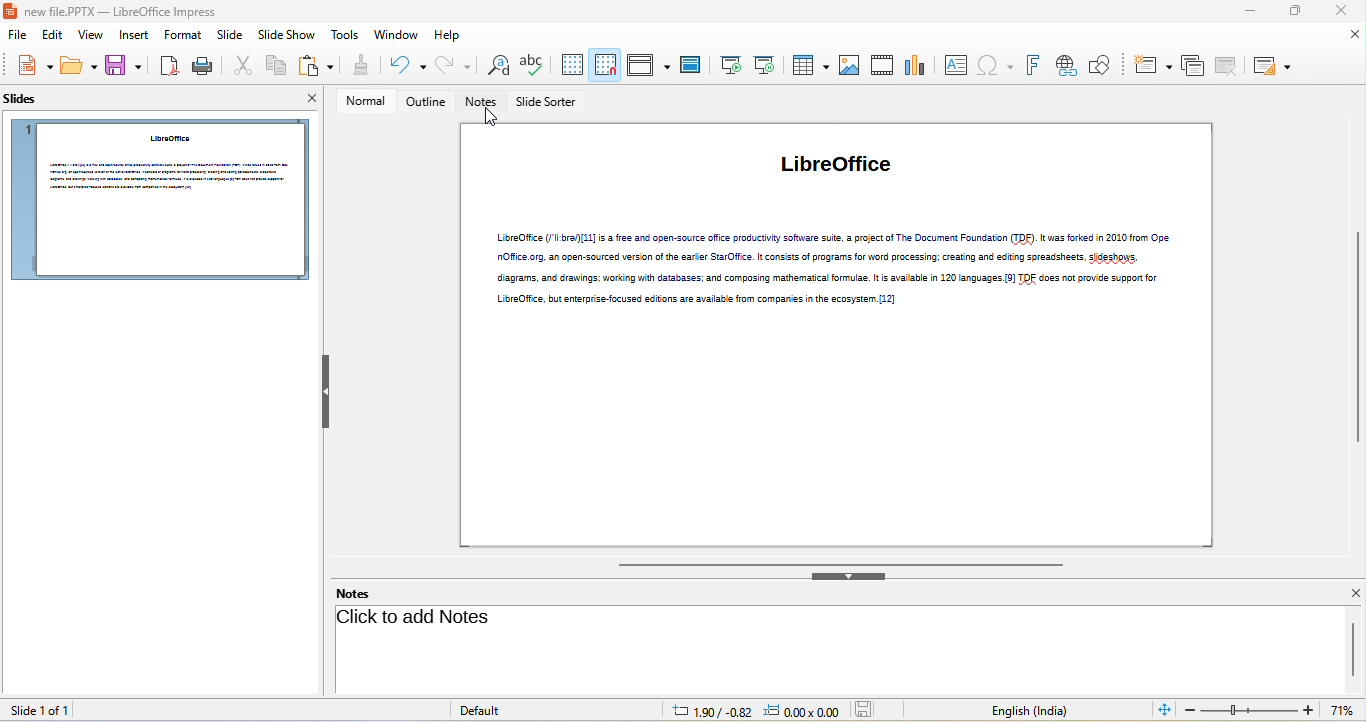 The width and height of the screenshot is (1366, 722). I want to click on horizontal scroll bar, so click(846, 562).